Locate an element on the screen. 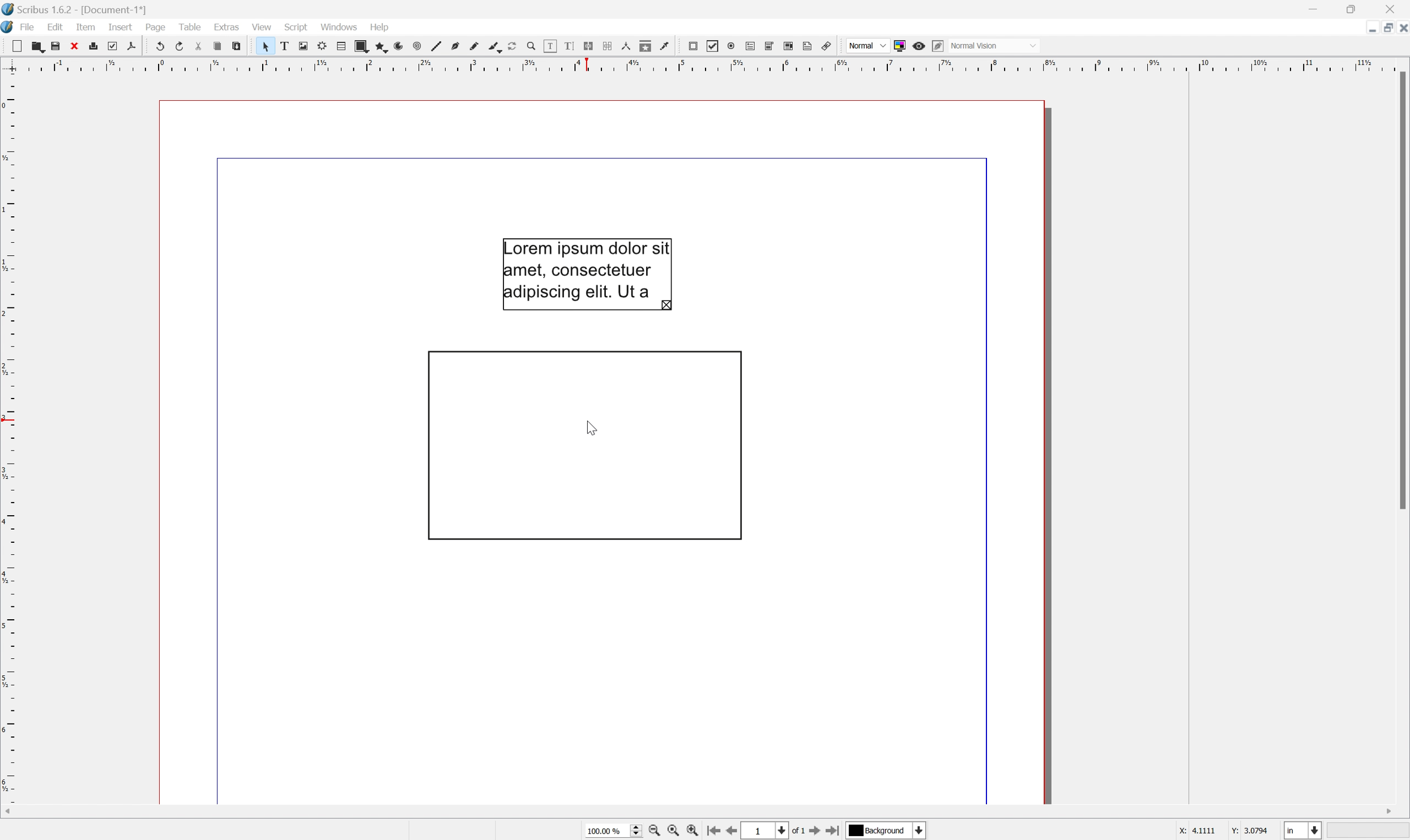  PDF combo box is located at coordinates (768, 44).